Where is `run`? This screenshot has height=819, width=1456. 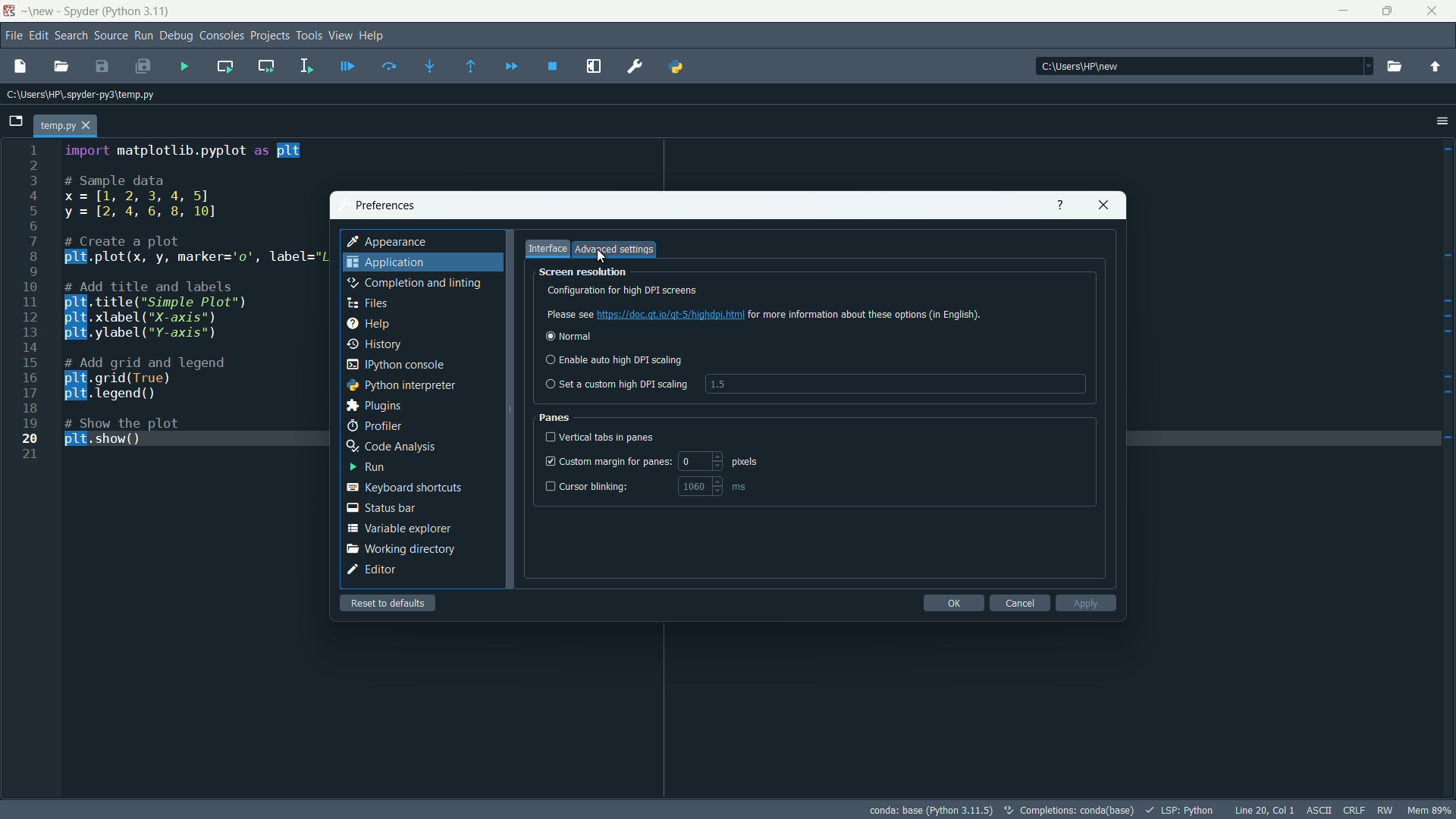 run is located at coordinates (366, 467).